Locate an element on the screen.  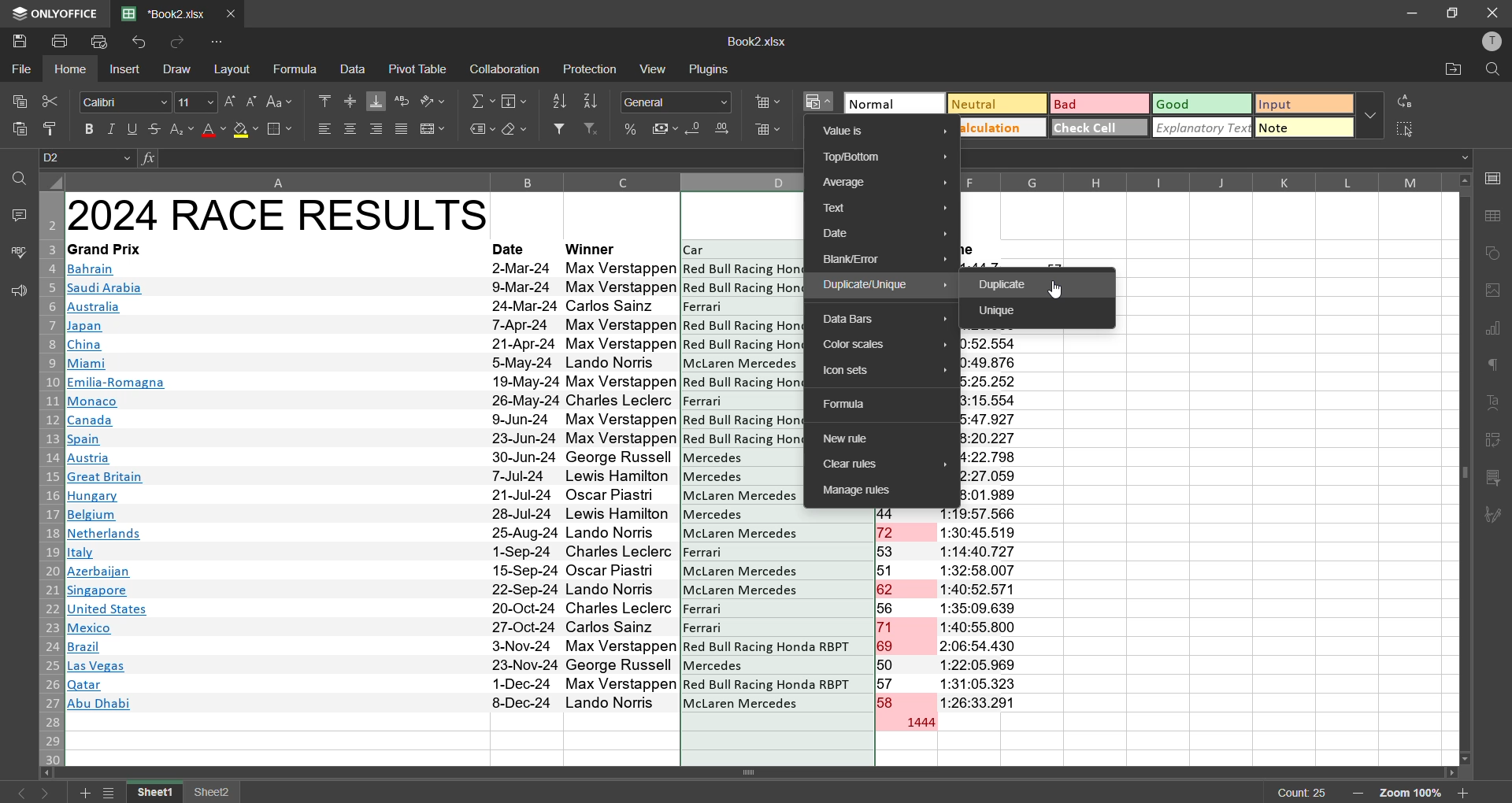
sheet  name is located at coordinates (213, 794).